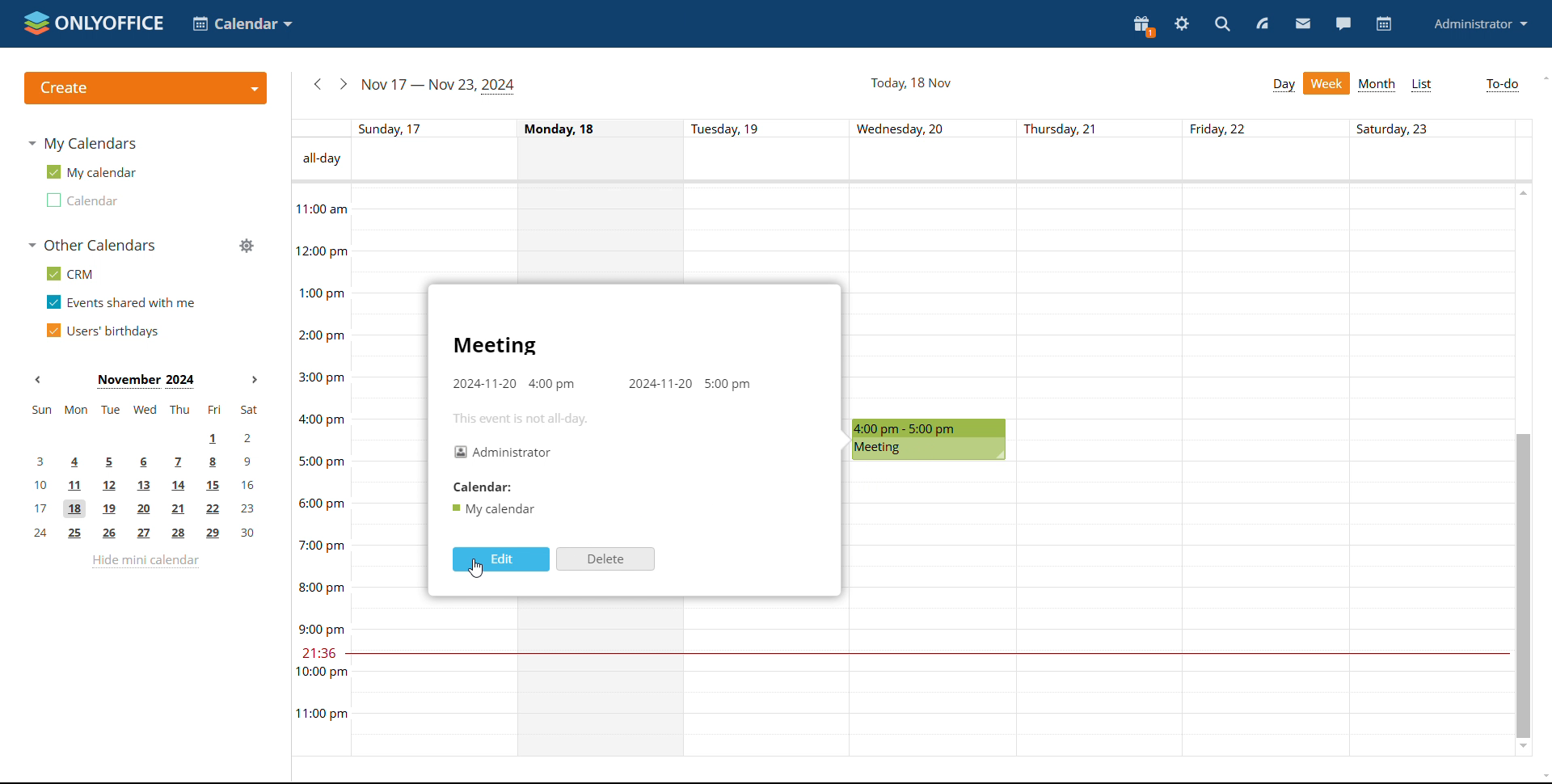  What do you see at coordinates (91, 245) in the screenshot?
I see `other calendars` at bounding box center [91, 245].